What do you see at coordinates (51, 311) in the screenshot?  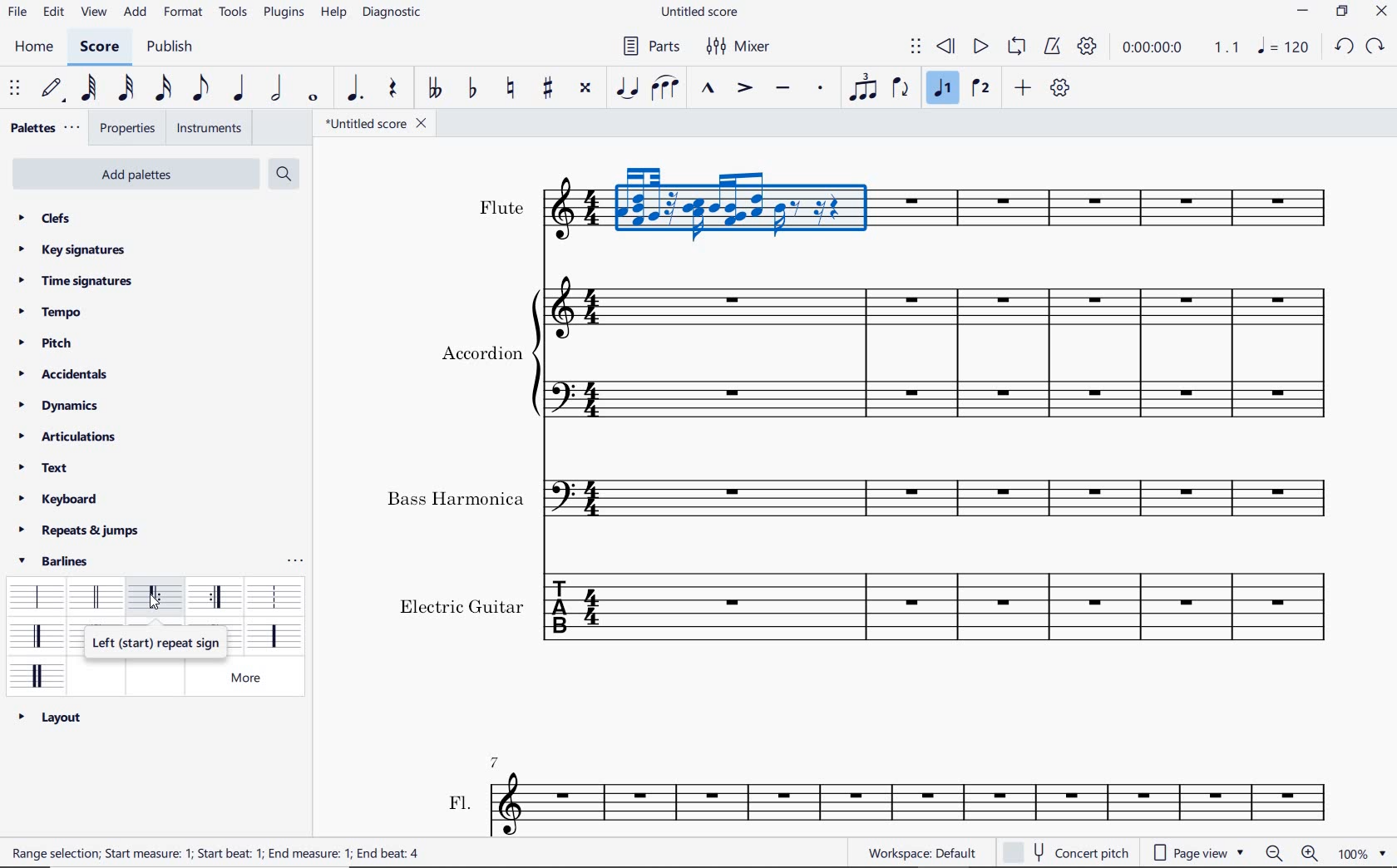 I see `tempo` at bounding box center [51, 311].